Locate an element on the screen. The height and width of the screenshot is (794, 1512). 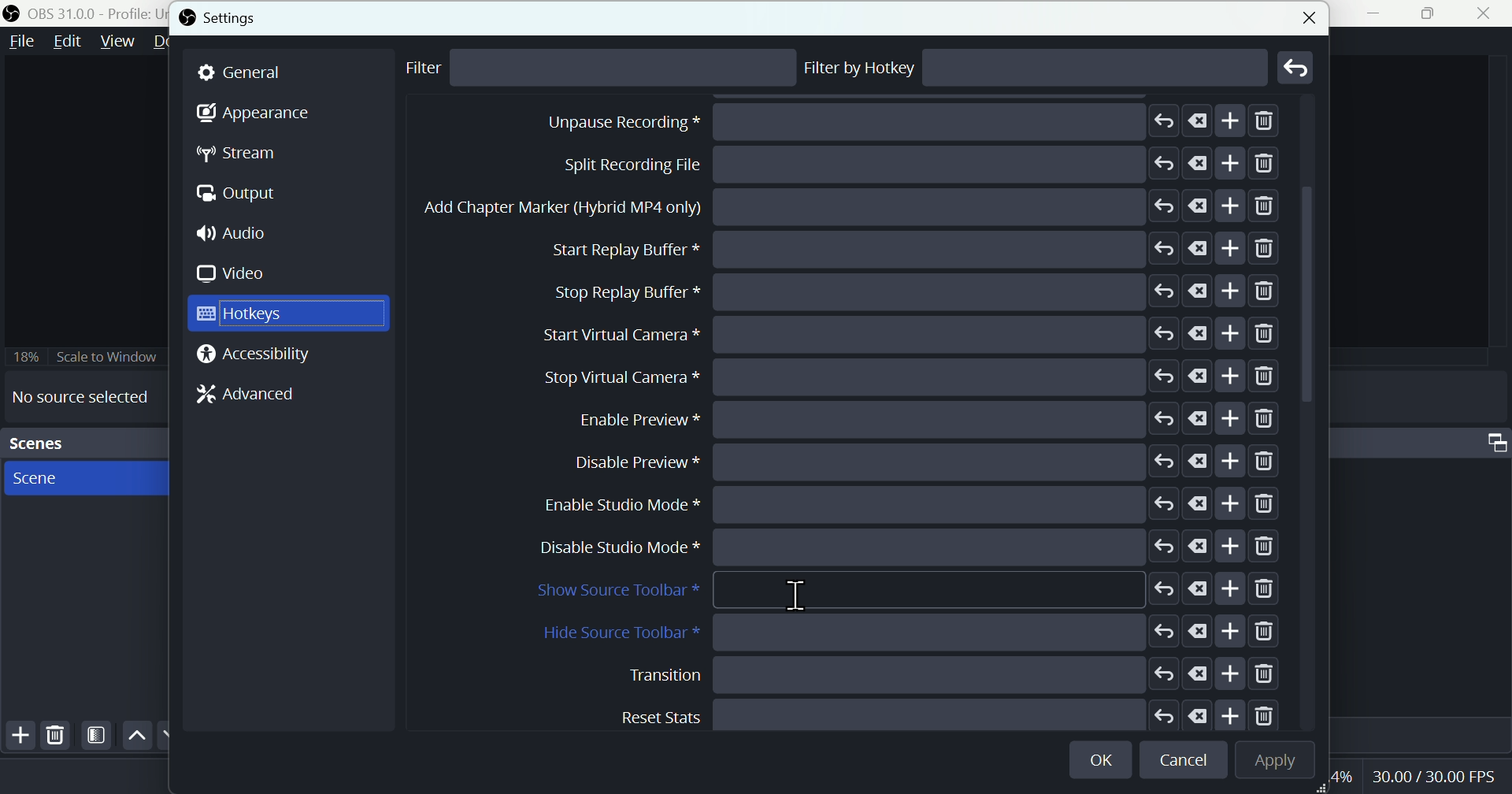
cancel is located at coordinates (1187, 761).